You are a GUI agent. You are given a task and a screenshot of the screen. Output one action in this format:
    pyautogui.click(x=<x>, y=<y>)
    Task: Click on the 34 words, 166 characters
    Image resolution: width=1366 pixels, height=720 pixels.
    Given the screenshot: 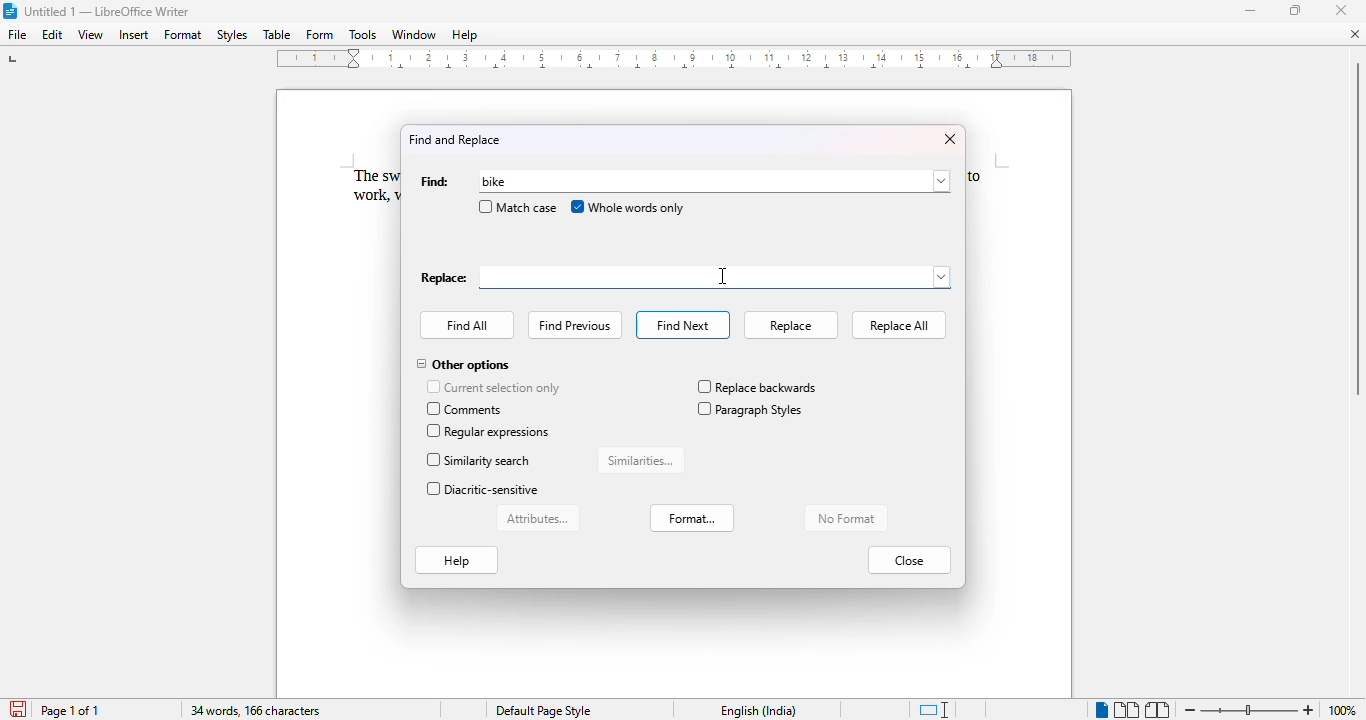 What is the action you would take?
    pyautogui.click(x=255, y=711)
    